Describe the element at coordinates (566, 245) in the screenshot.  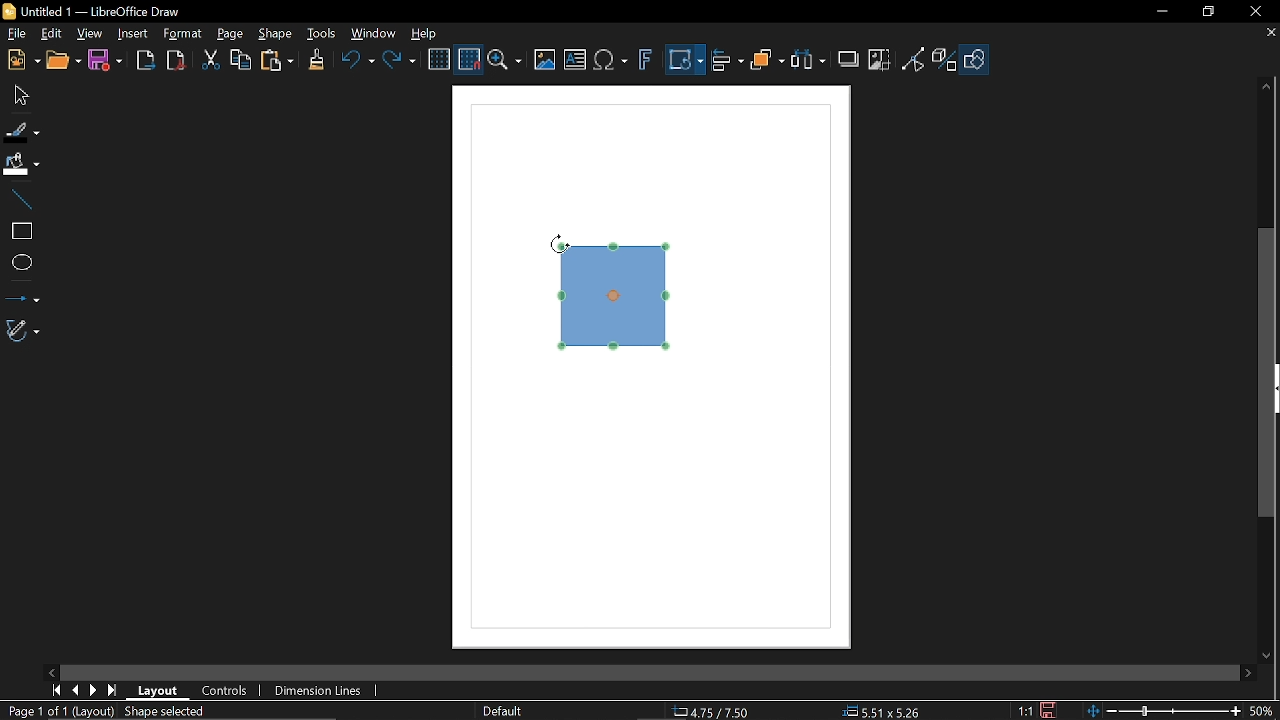
I see `Cursor` at that location.